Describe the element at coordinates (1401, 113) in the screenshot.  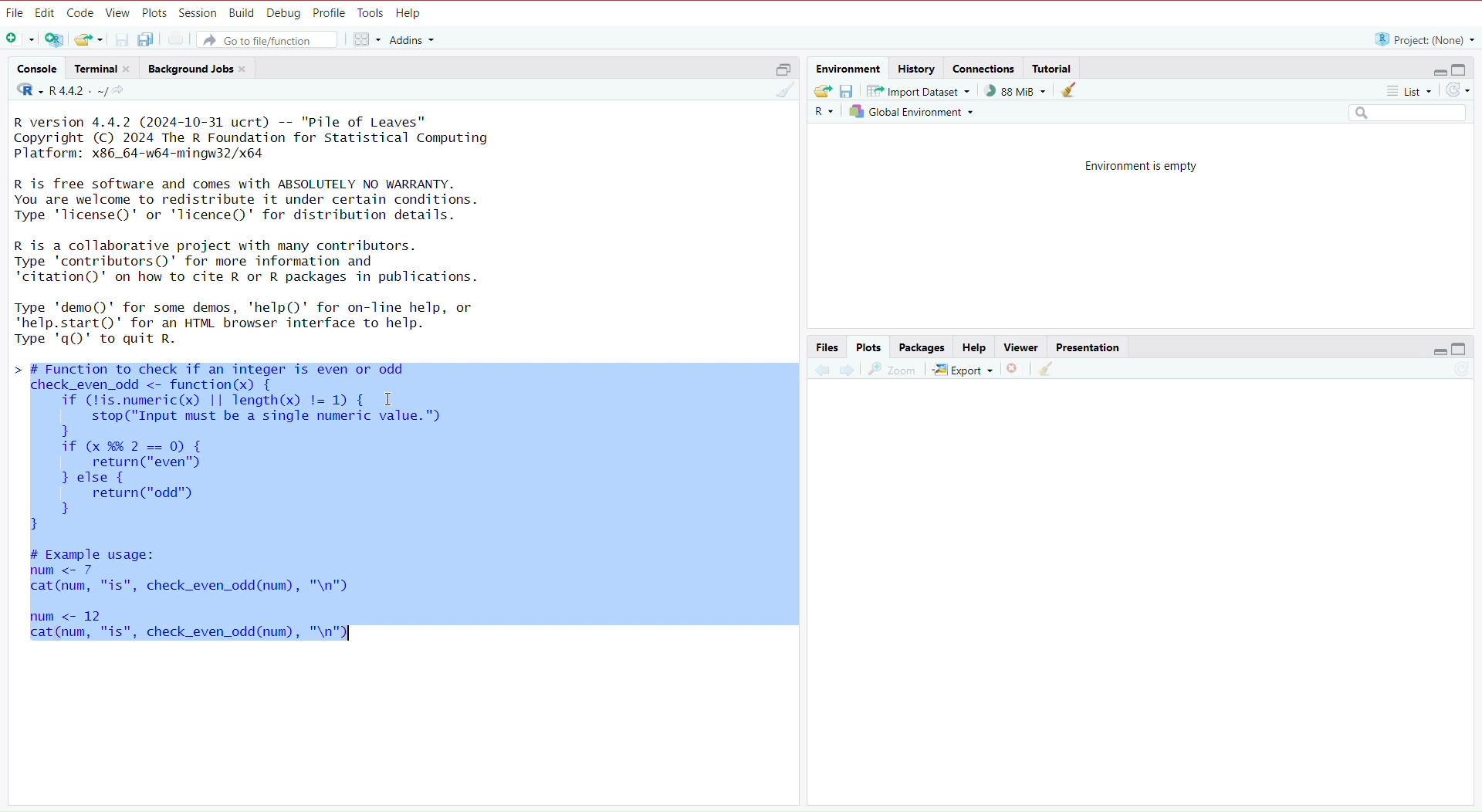
I see `search` at that location.